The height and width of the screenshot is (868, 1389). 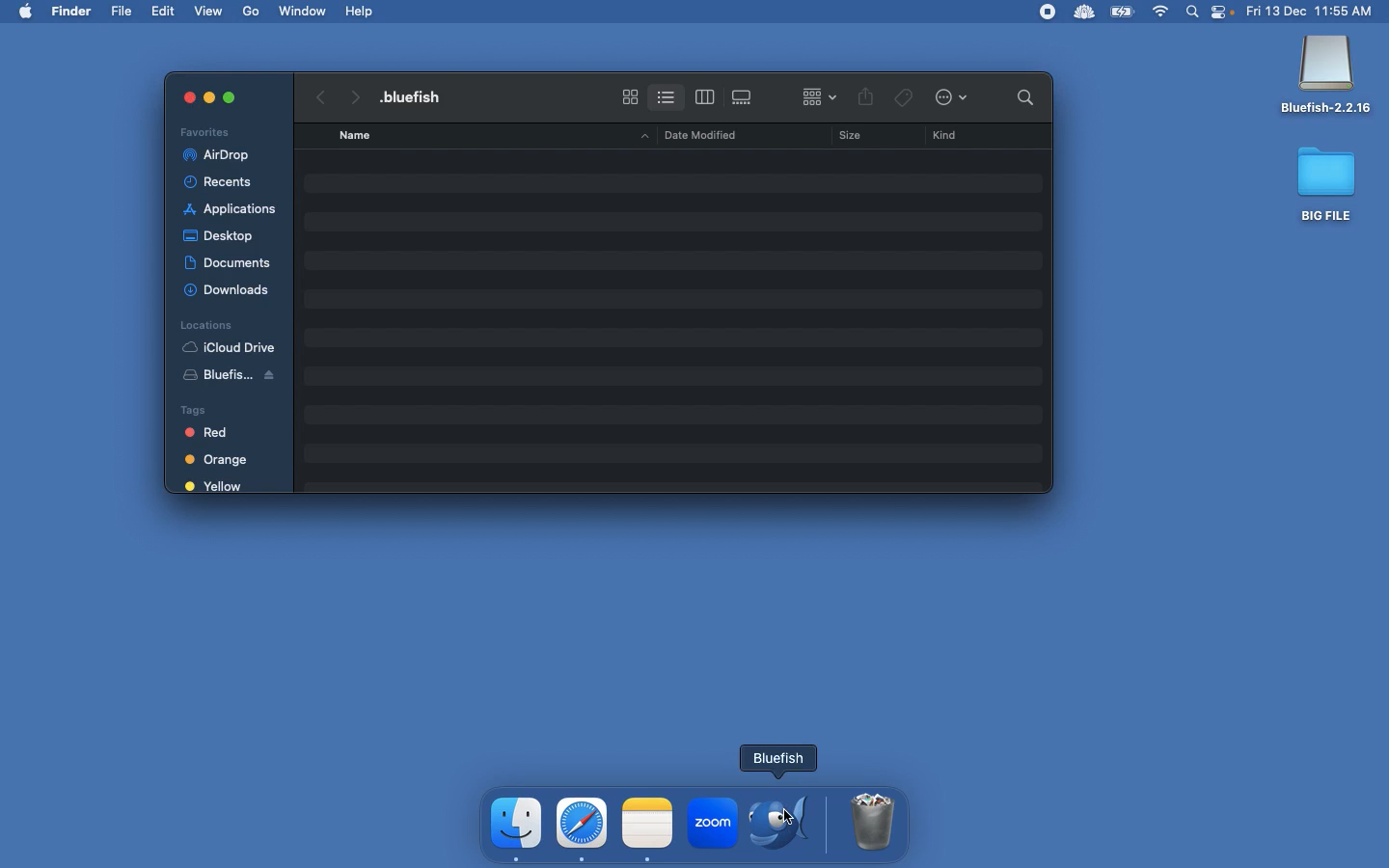 What do you see at coordinates (357, 135) in the screenshot?
I see `Name` at bounding box center [357, 135].